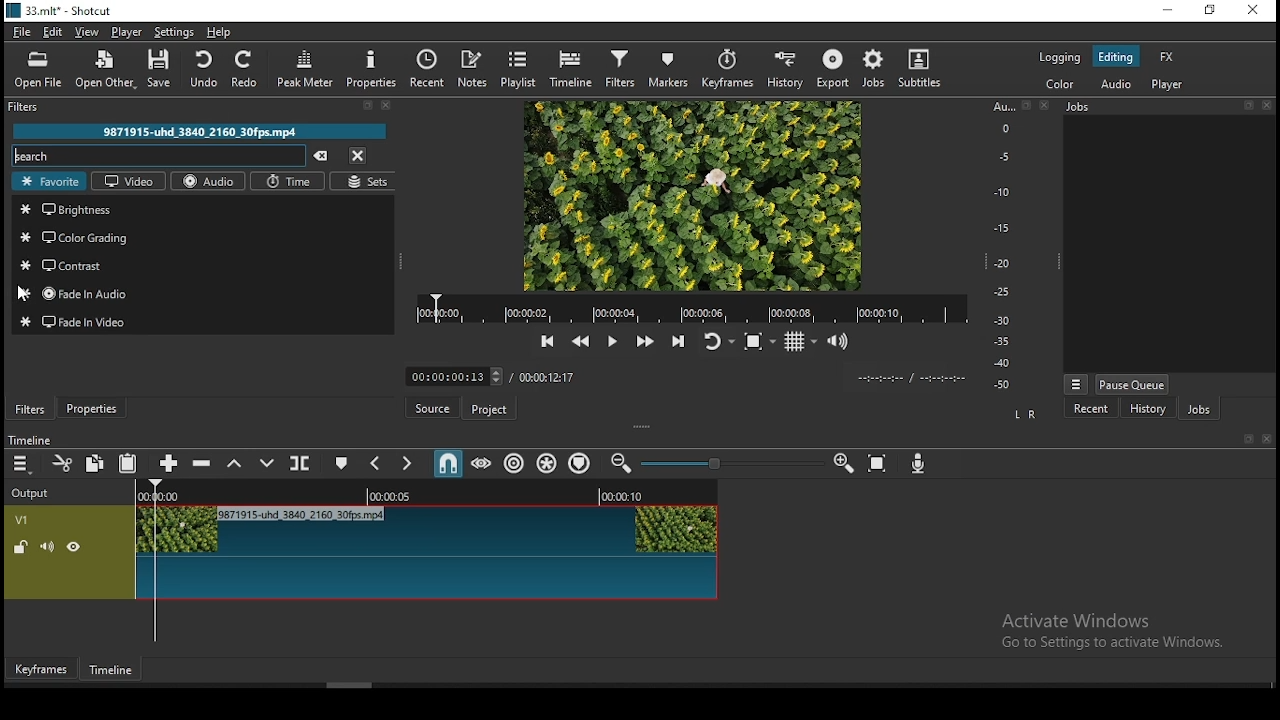 The height and width of the screenshot is (720, 1280). I want to click on pause queue, so click(1132, 383).